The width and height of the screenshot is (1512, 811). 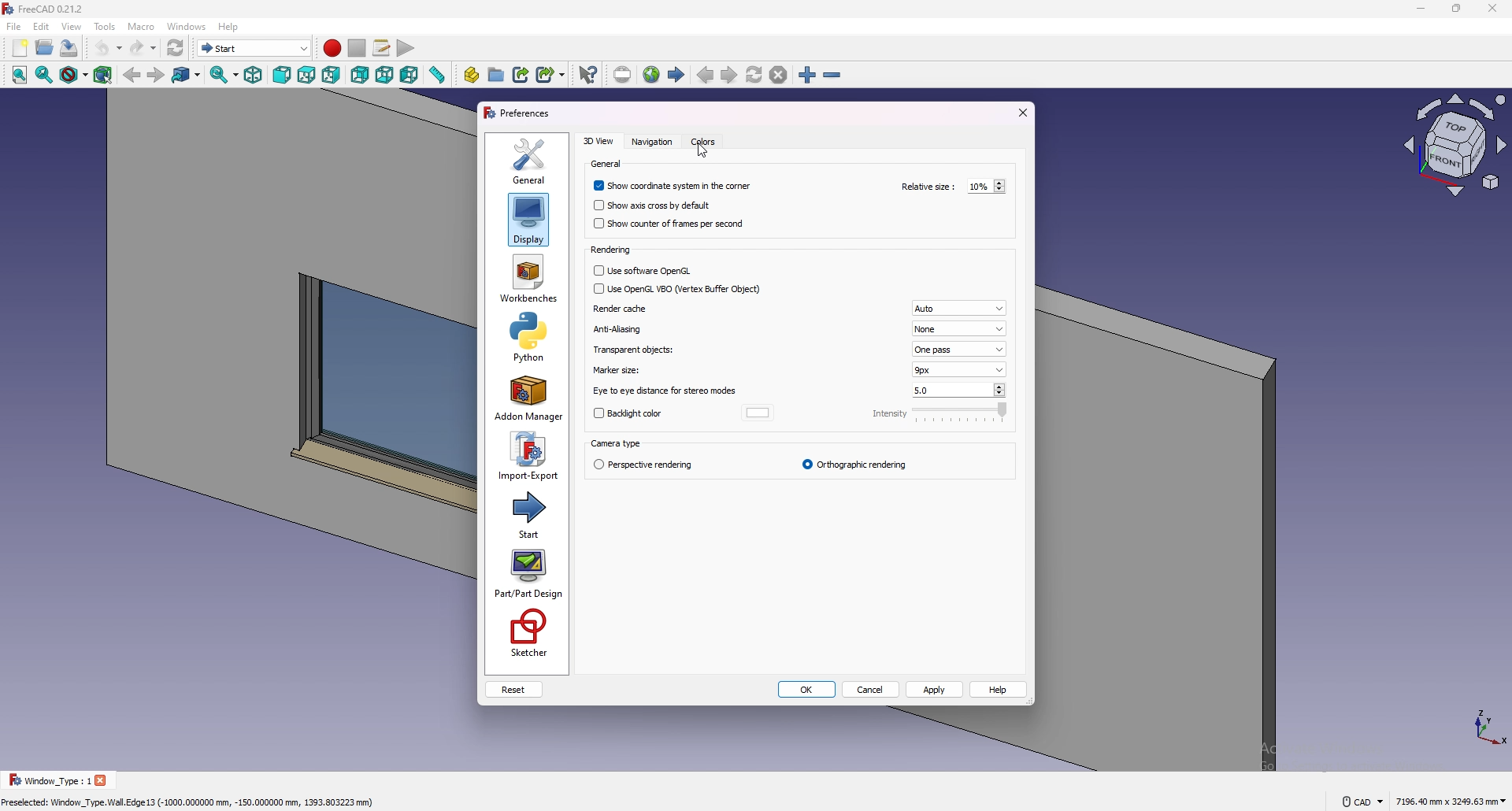 What do you see at coordinates (522, 73) in the screenshot?
I see `make link` at bounding box center [522, 73].